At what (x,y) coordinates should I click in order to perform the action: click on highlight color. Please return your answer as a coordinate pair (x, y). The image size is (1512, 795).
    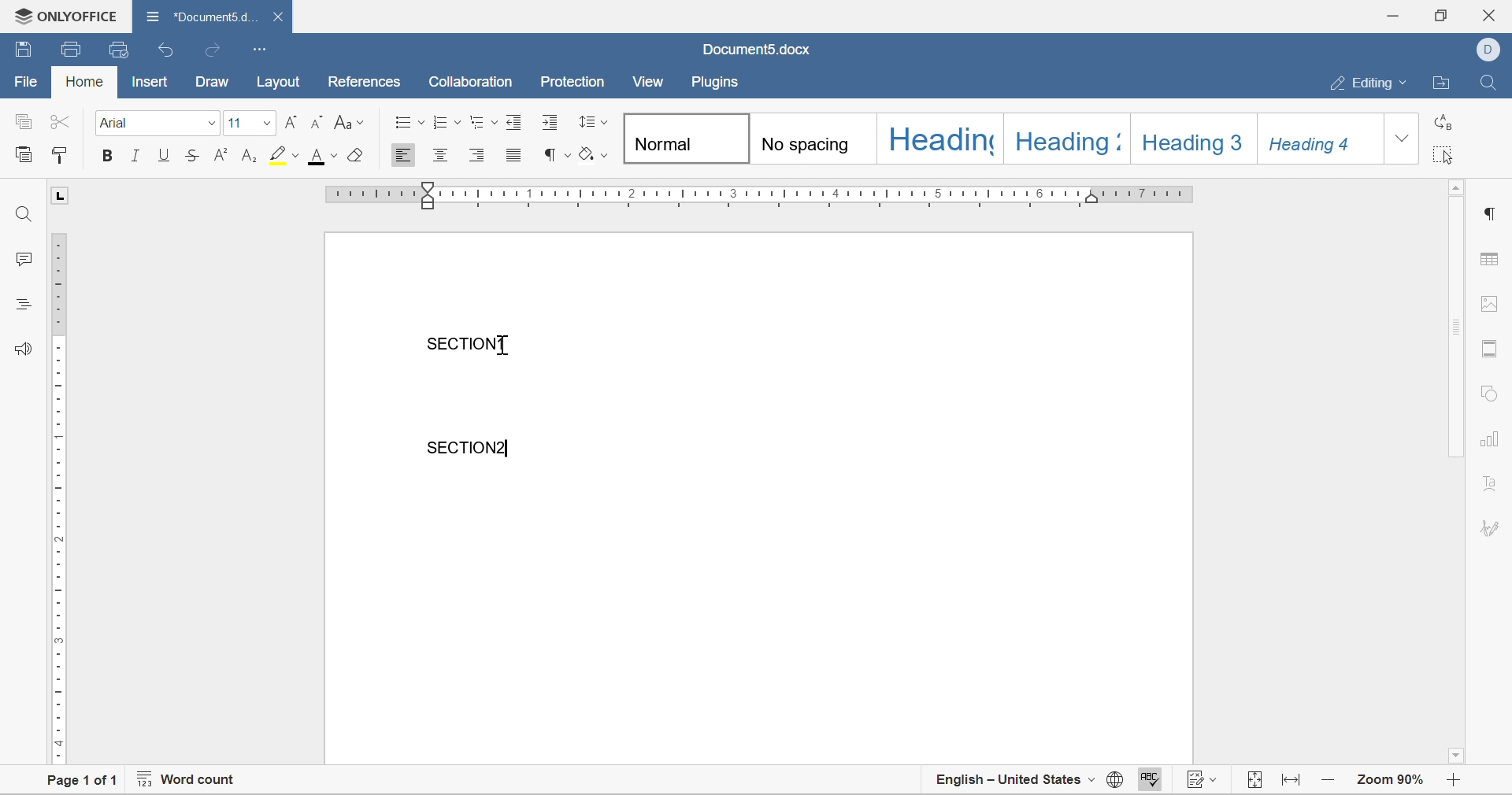
    Looking at the image, I should click on (287, 154).